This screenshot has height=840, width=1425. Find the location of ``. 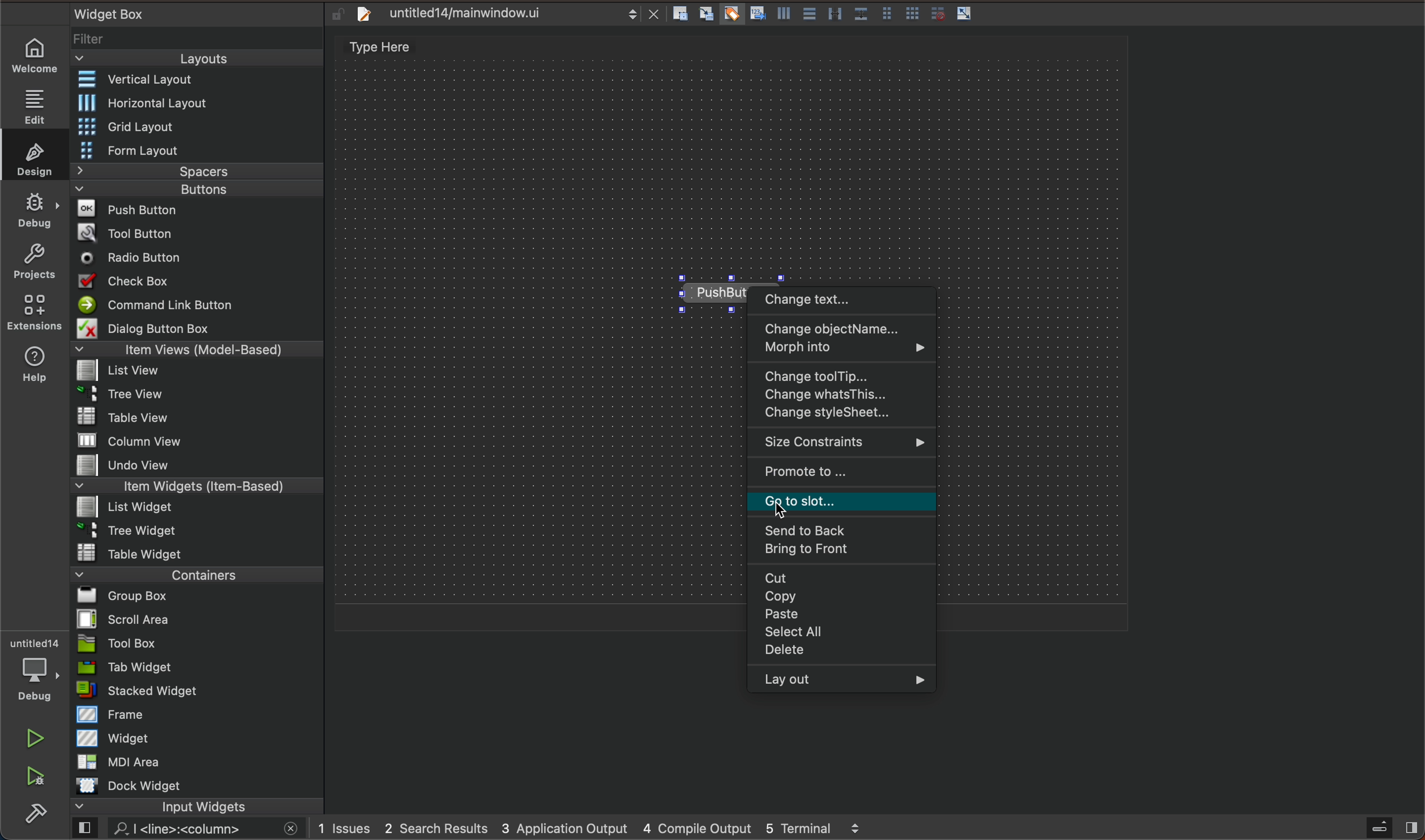

 is located at coordinates (759, 12).